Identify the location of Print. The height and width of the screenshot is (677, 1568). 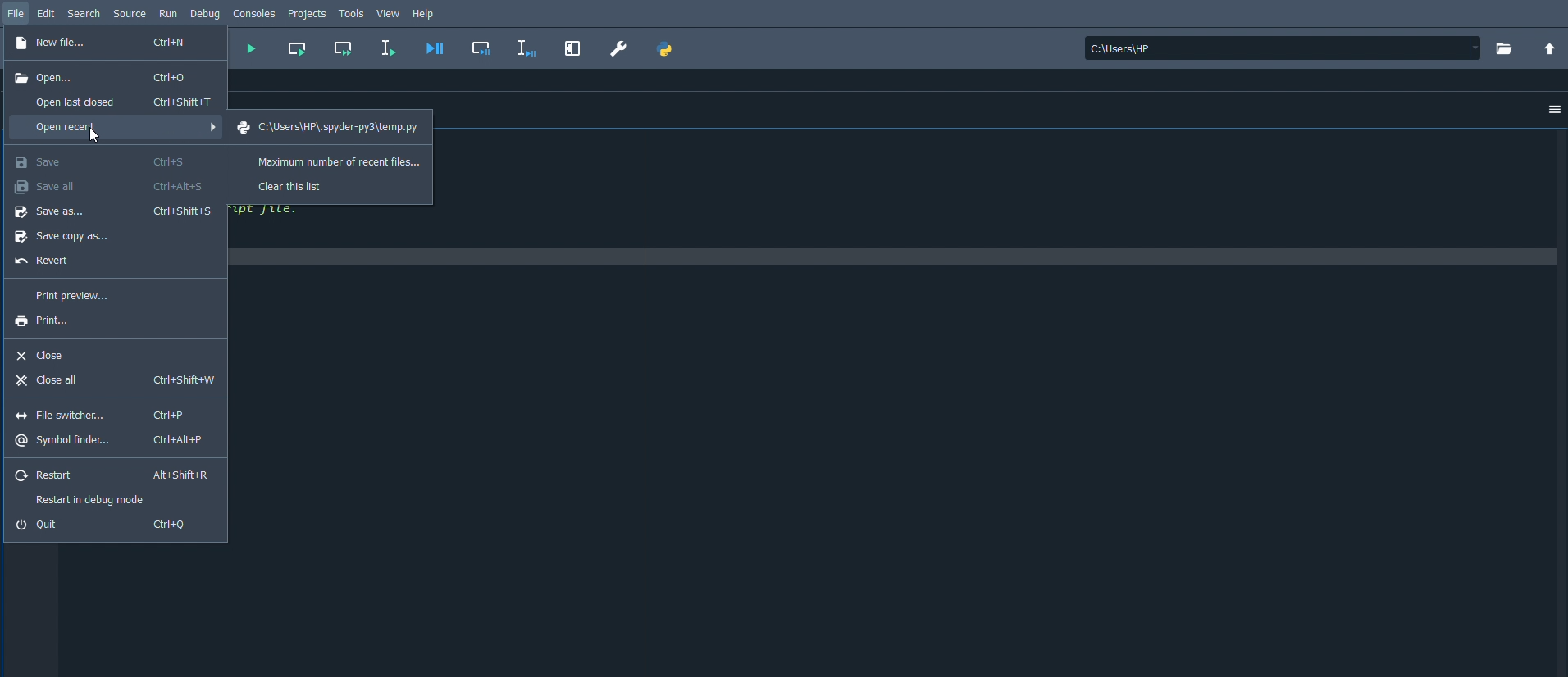
(52, 321).